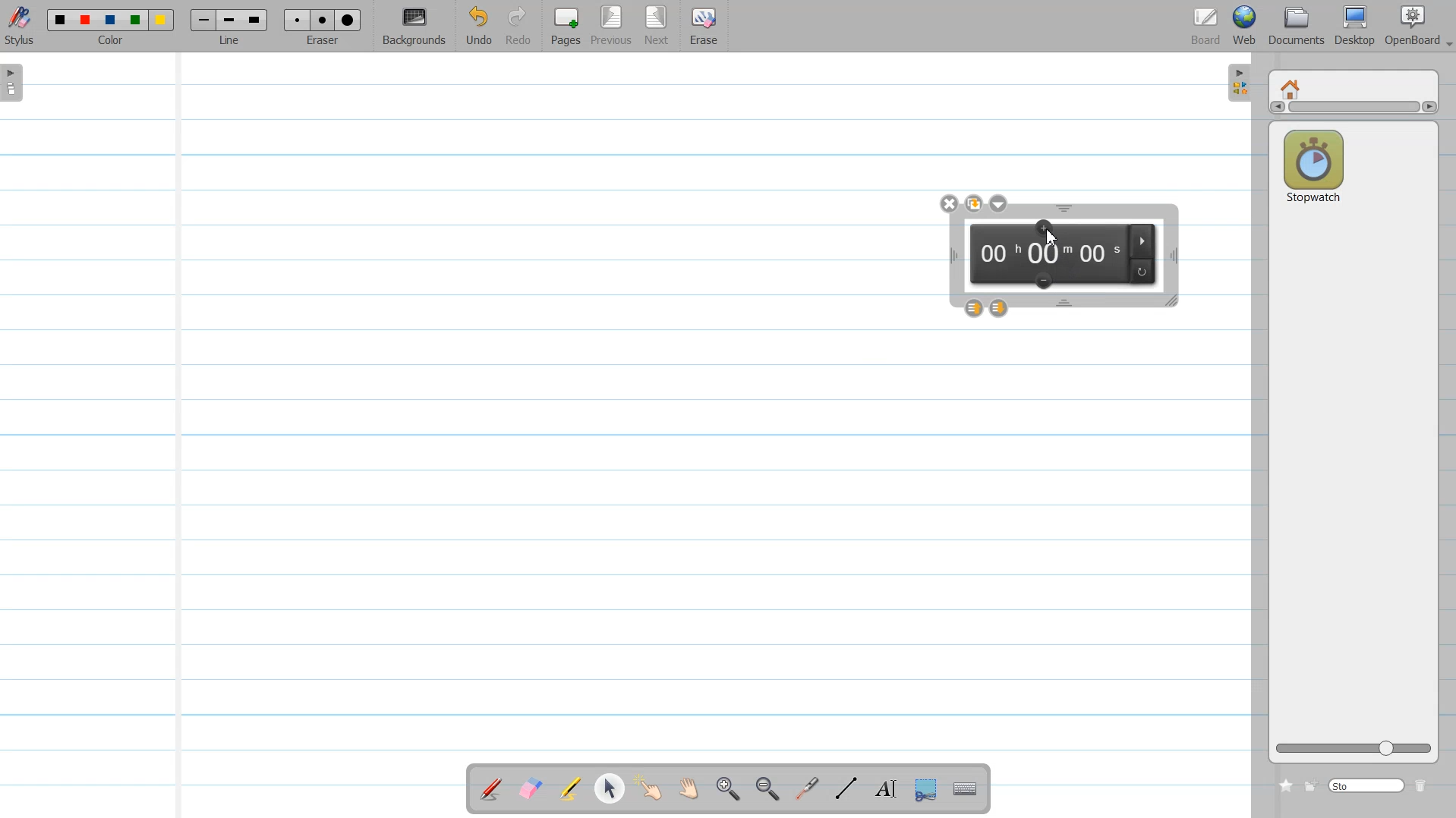 The image size is (1456, 818). What do you see at coordinates (973, 308) in the screenshot?
I see `Layer up` at bounding box center [973, 308].